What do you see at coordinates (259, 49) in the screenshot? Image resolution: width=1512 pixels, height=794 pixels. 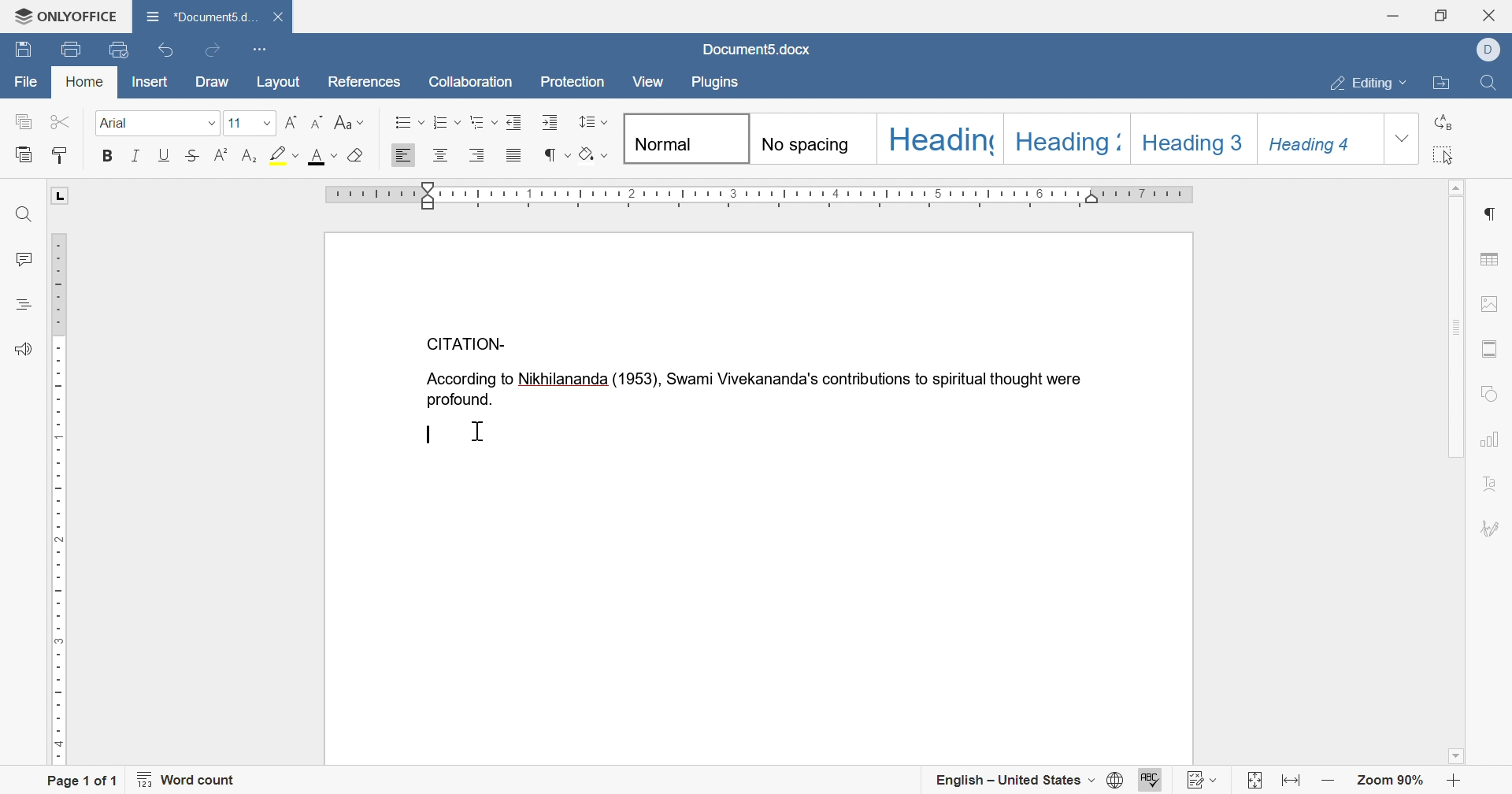 I see `customize quick access toolbar` at bounding box center [259, 49].